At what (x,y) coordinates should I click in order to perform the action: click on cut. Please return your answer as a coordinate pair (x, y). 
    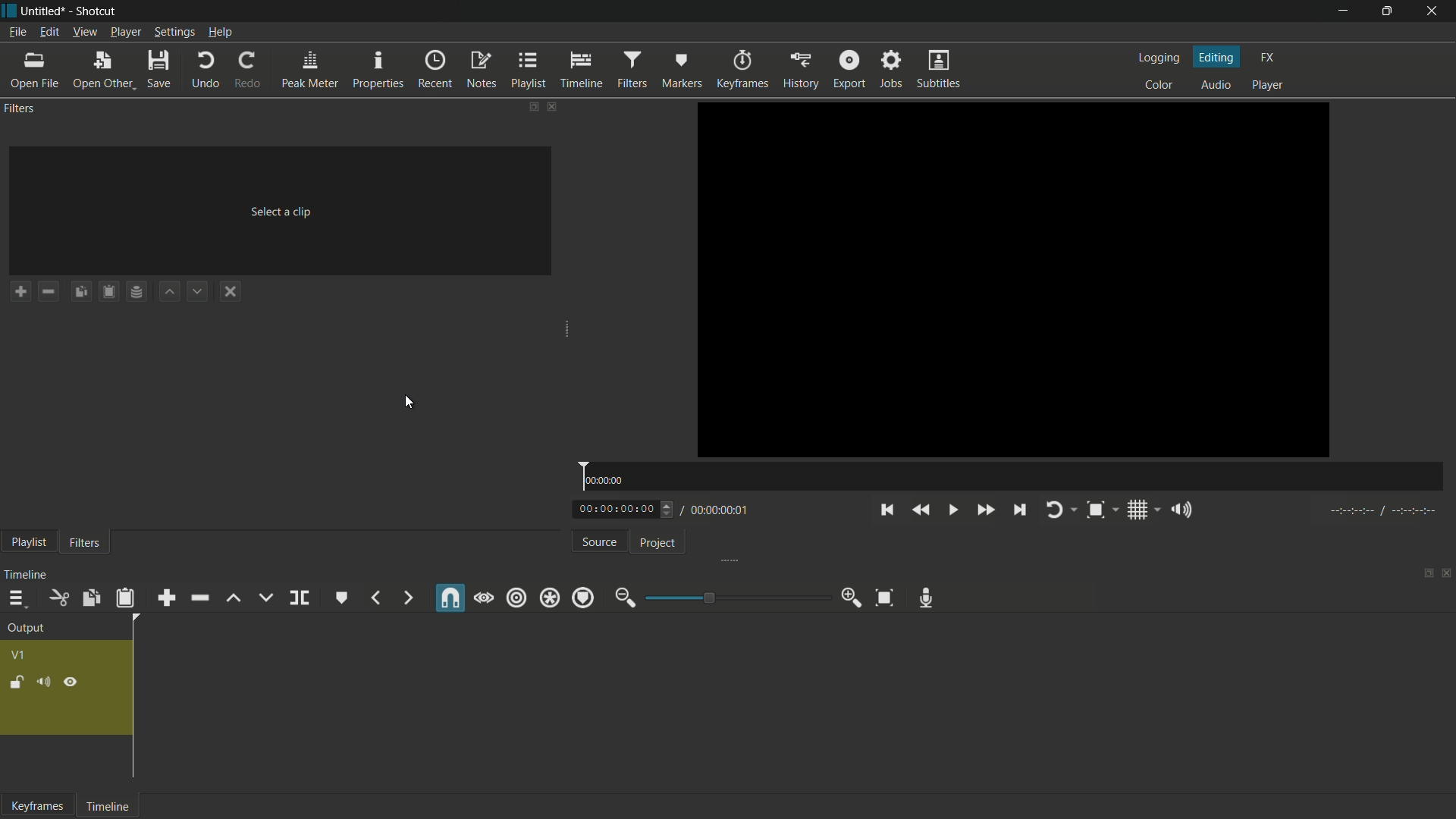
    Looking at the image, I should click on (58, 598).